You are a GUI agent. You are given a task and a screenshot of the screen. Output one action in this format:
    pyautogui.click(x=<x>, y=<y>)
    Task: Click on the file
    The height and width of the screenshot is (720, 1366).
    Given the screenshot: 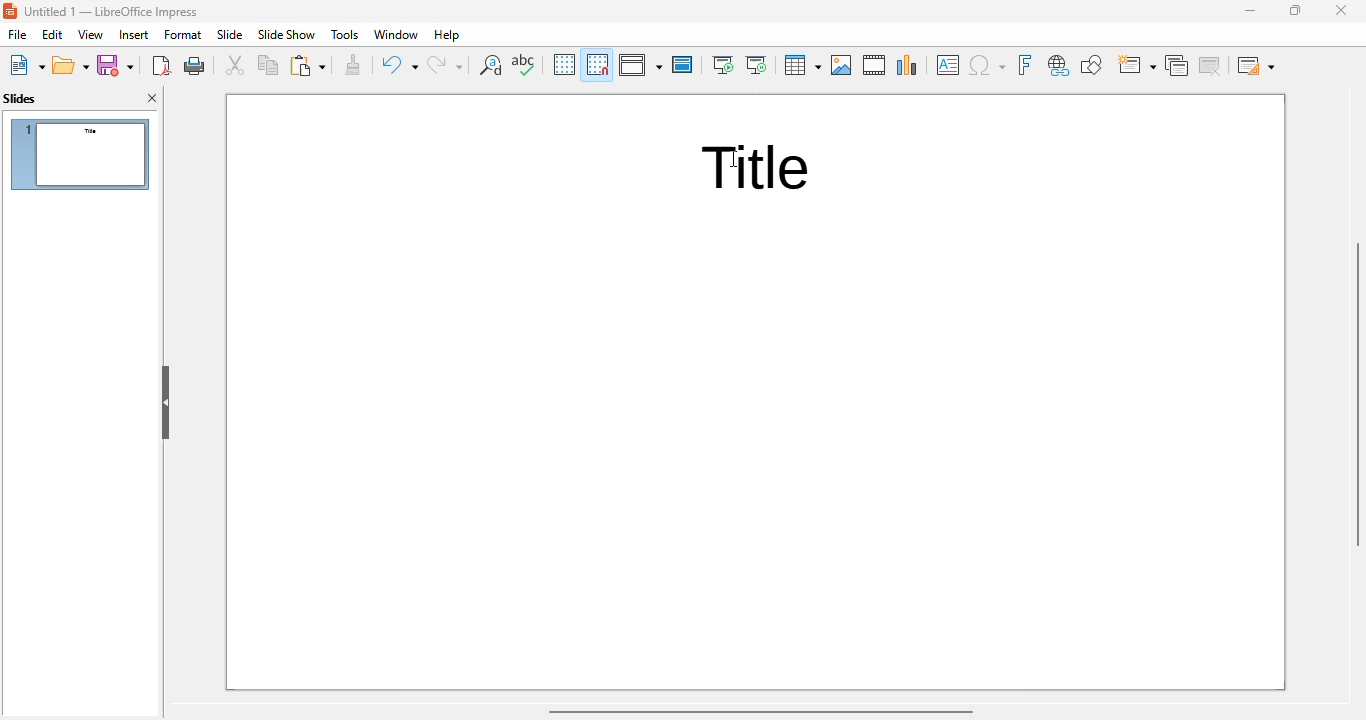 What is the action you would take?
    pyautogui.click(x=17, y=34)
    